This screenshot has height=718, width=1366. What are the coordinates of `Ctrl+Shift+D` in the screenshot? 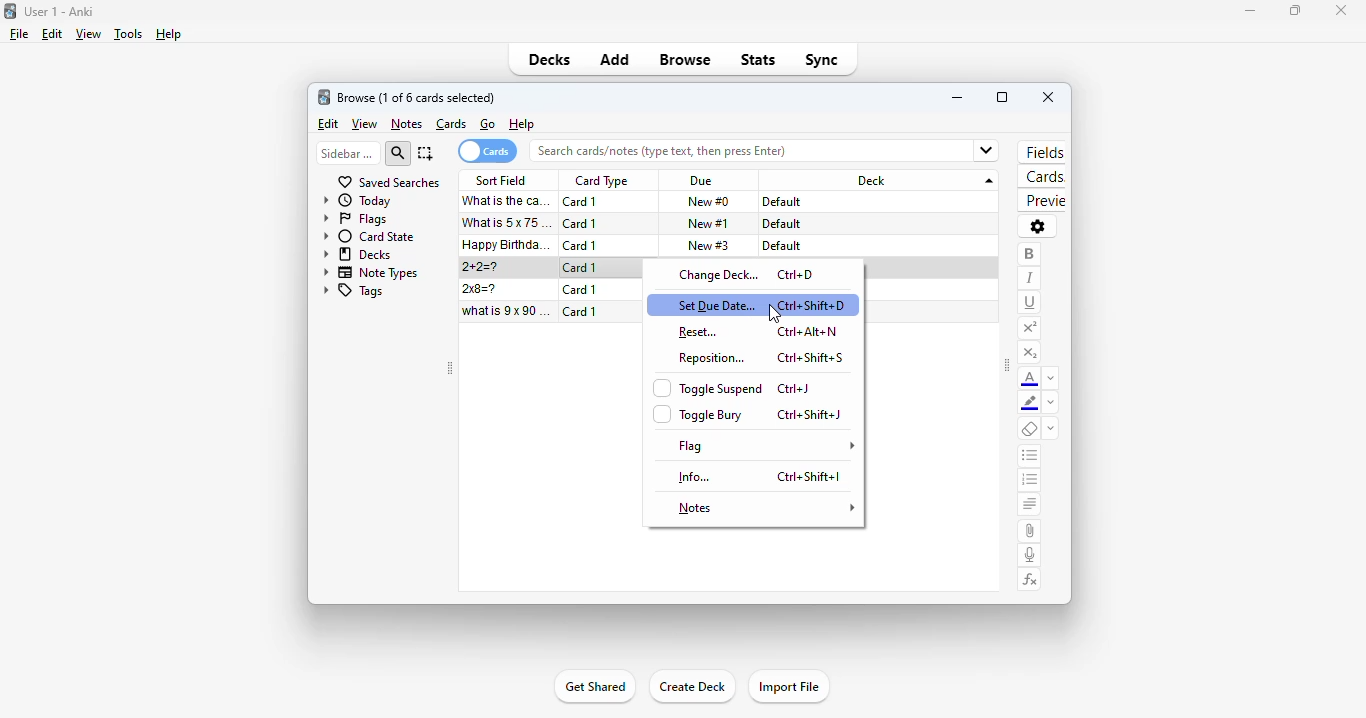 It's located at (815, 302).